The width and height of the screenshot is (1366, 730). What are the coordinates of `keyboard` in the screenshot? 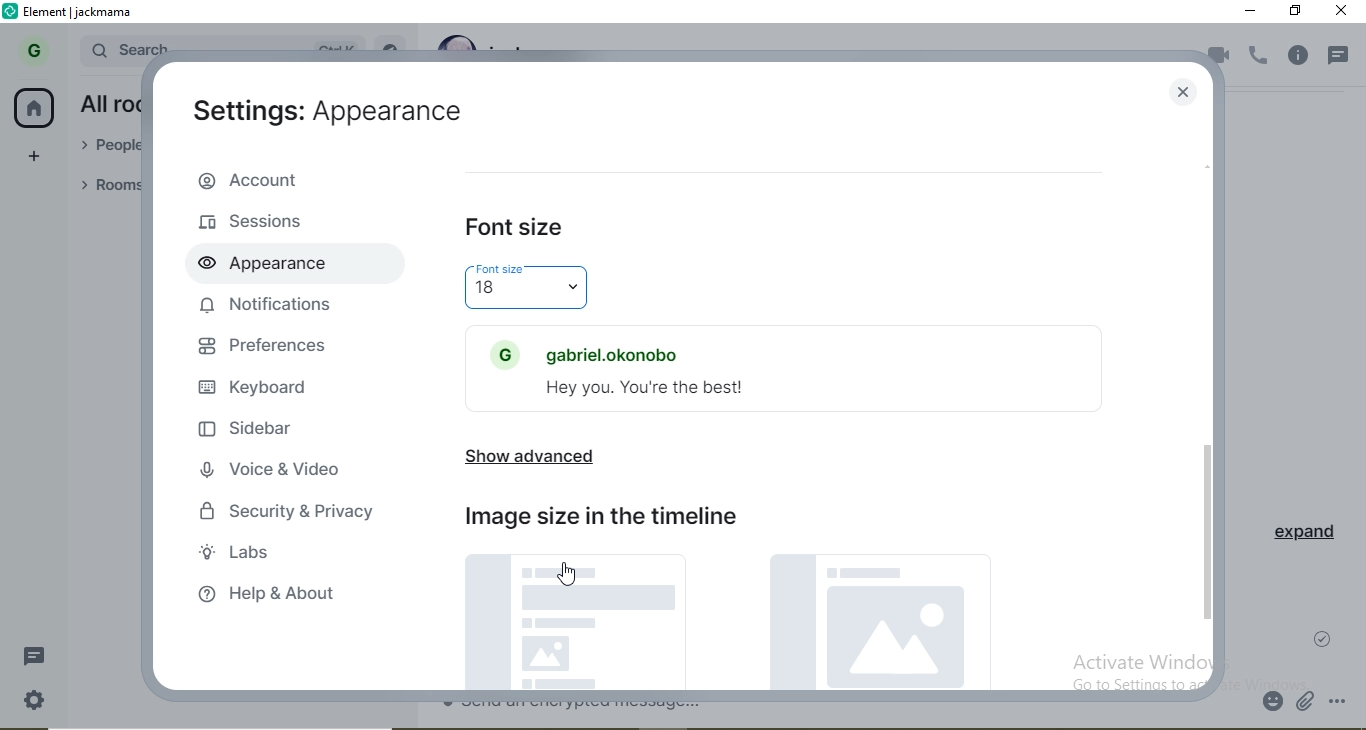 It's located at (257, 384).